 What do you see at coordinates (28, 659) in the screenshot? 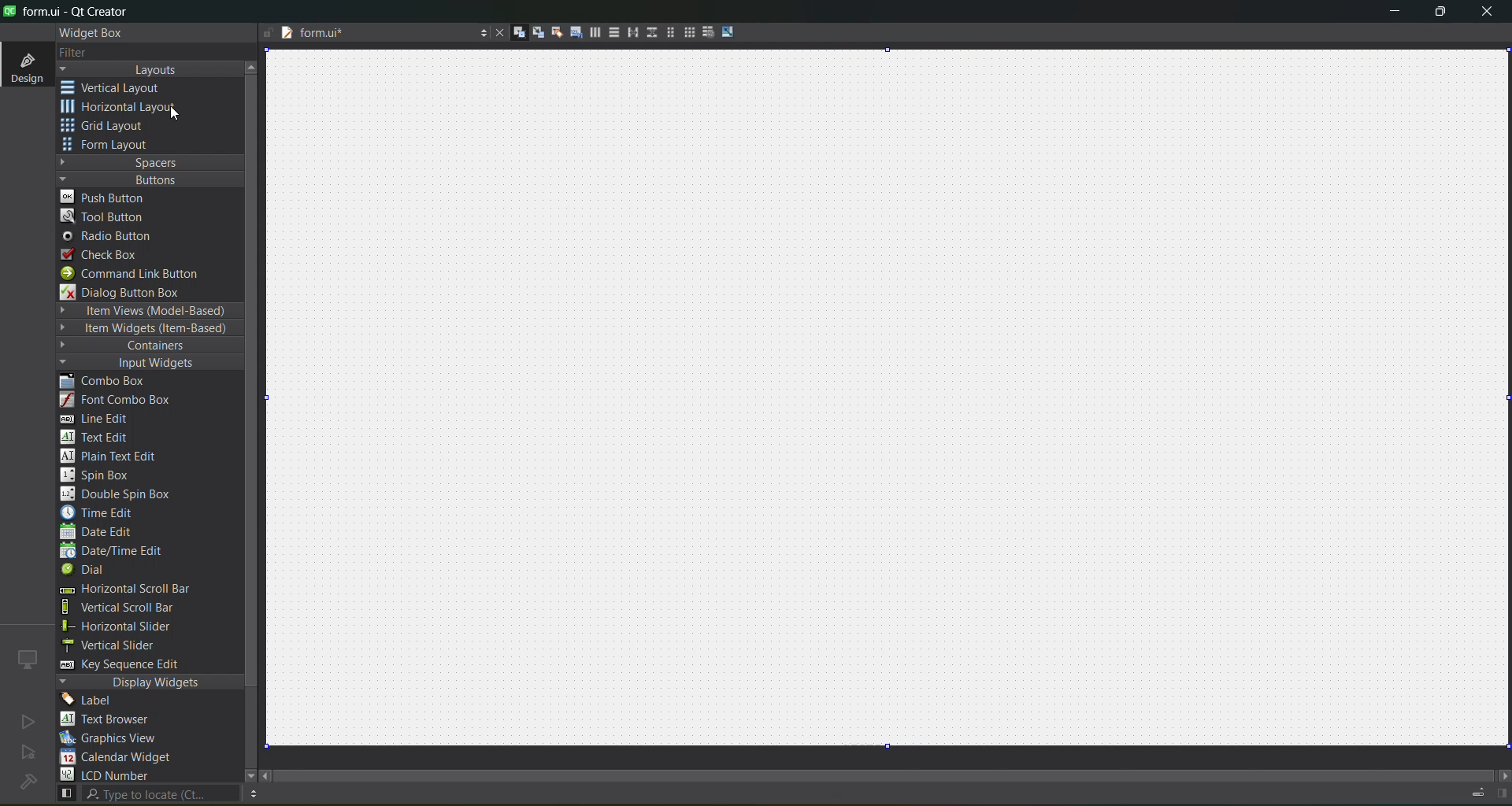
I see `icon` at bounding box center [28, 659].